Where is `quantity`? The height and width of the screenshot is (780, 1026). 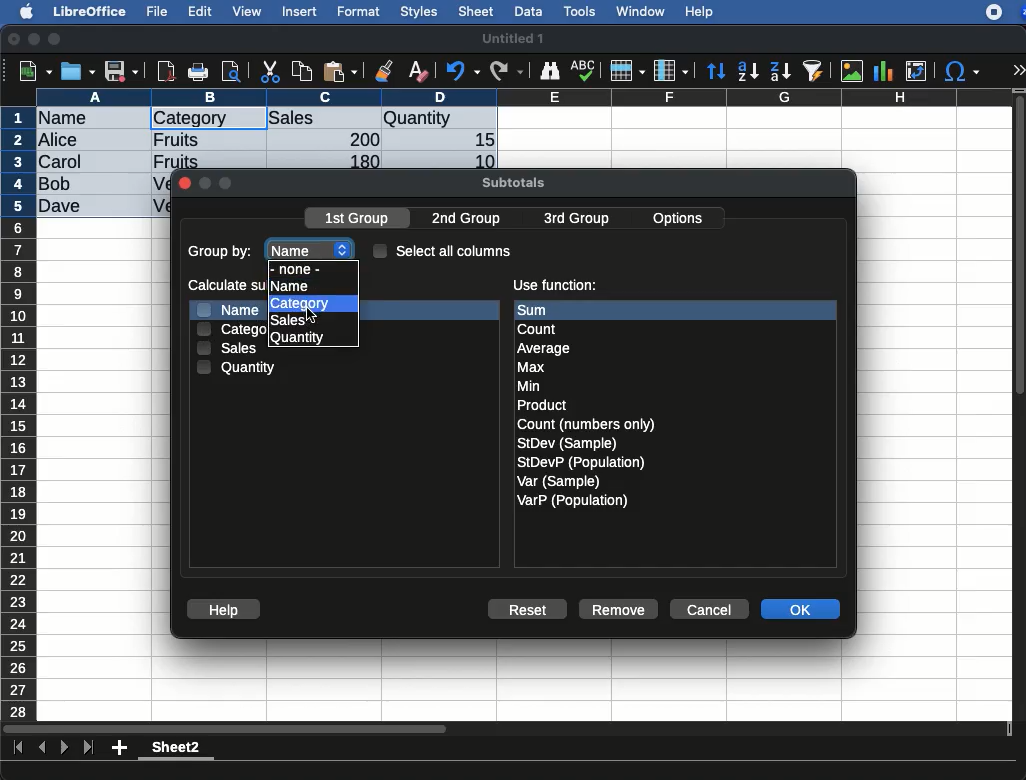
quantity is located at coordinates (439, 120).